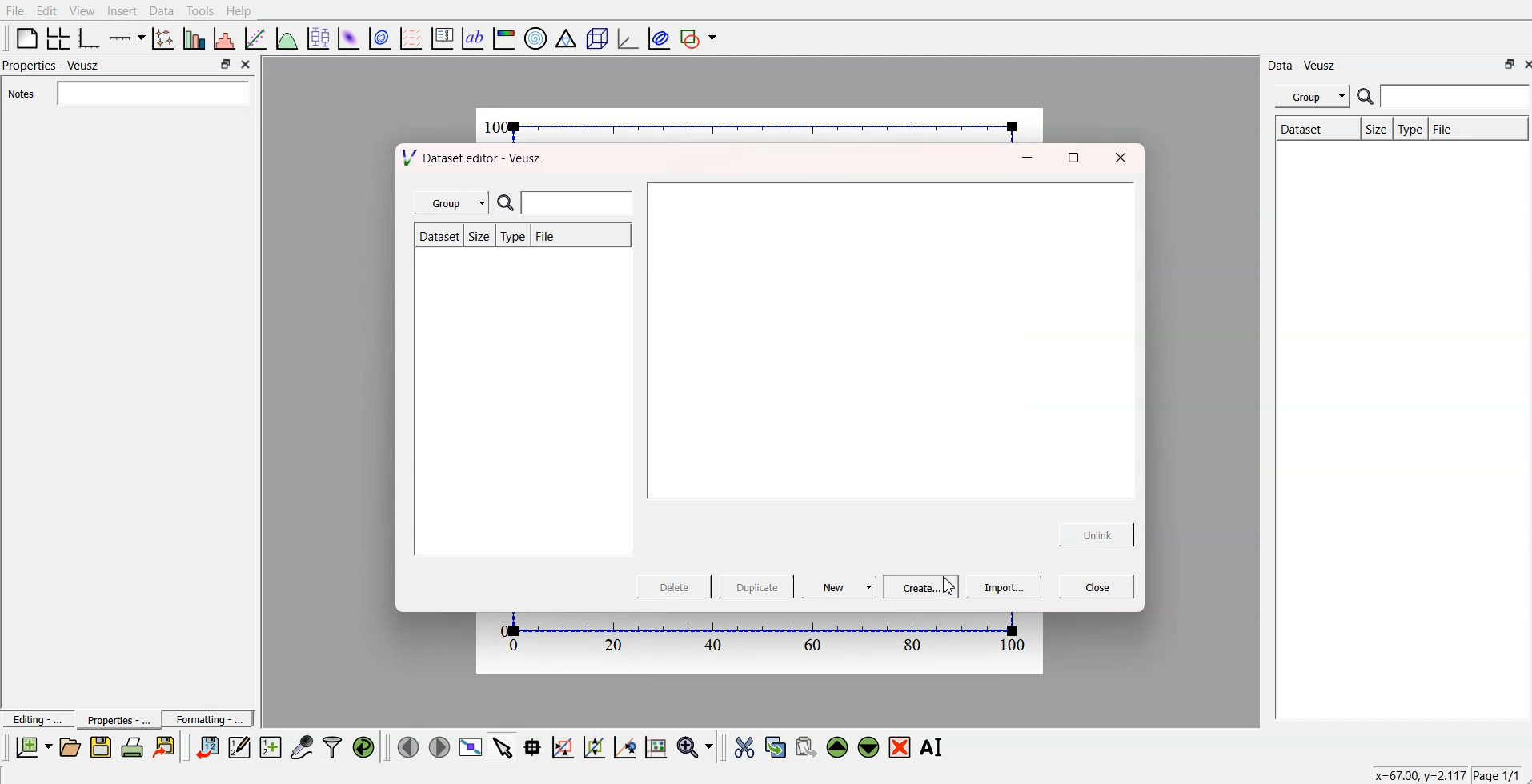  What do you see at coordinates (113, 719) in the screenshot?
I see `Properties` at bounding box center [113, 719].